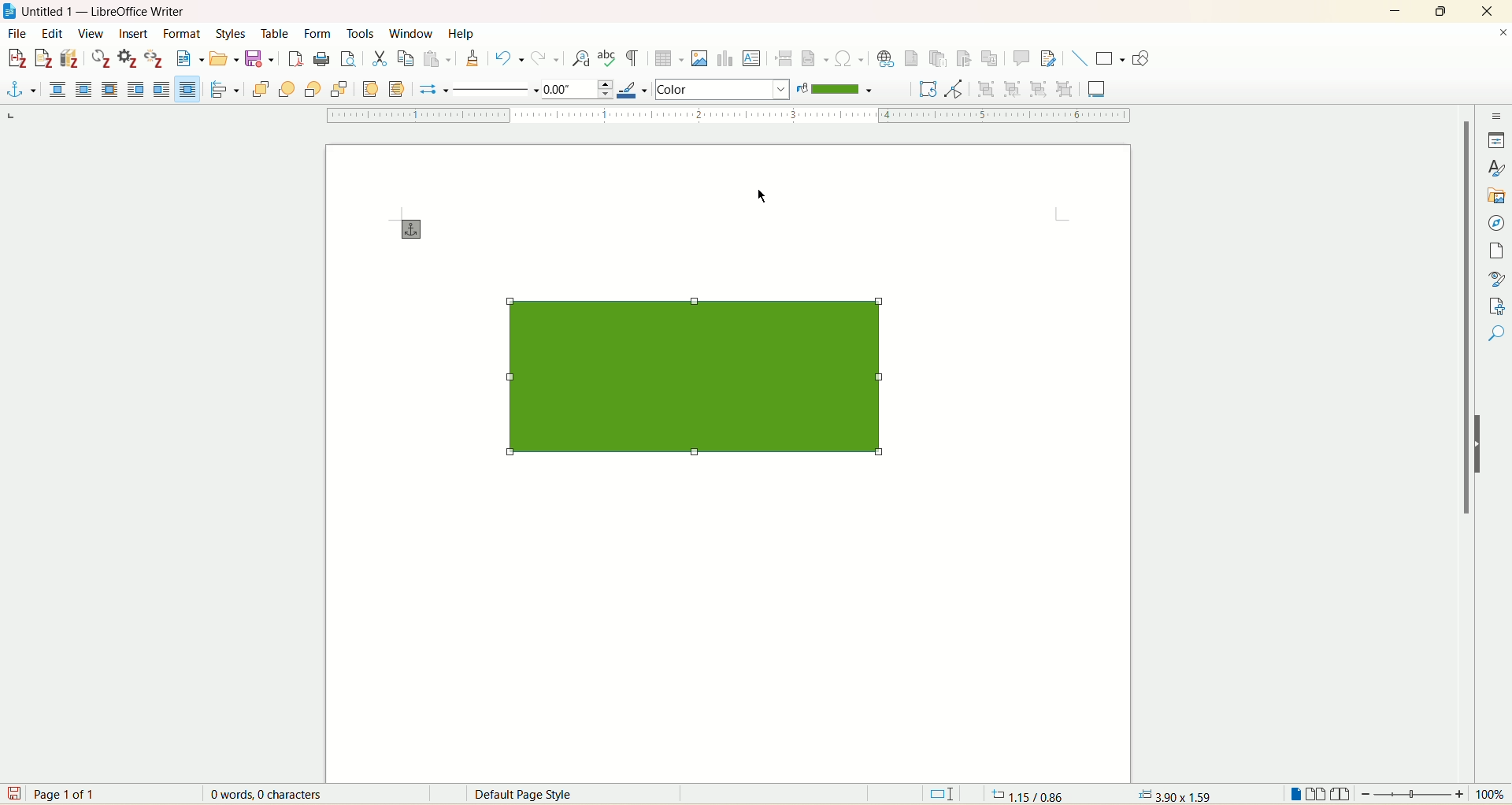  I want to click on through, so click(187, 89).